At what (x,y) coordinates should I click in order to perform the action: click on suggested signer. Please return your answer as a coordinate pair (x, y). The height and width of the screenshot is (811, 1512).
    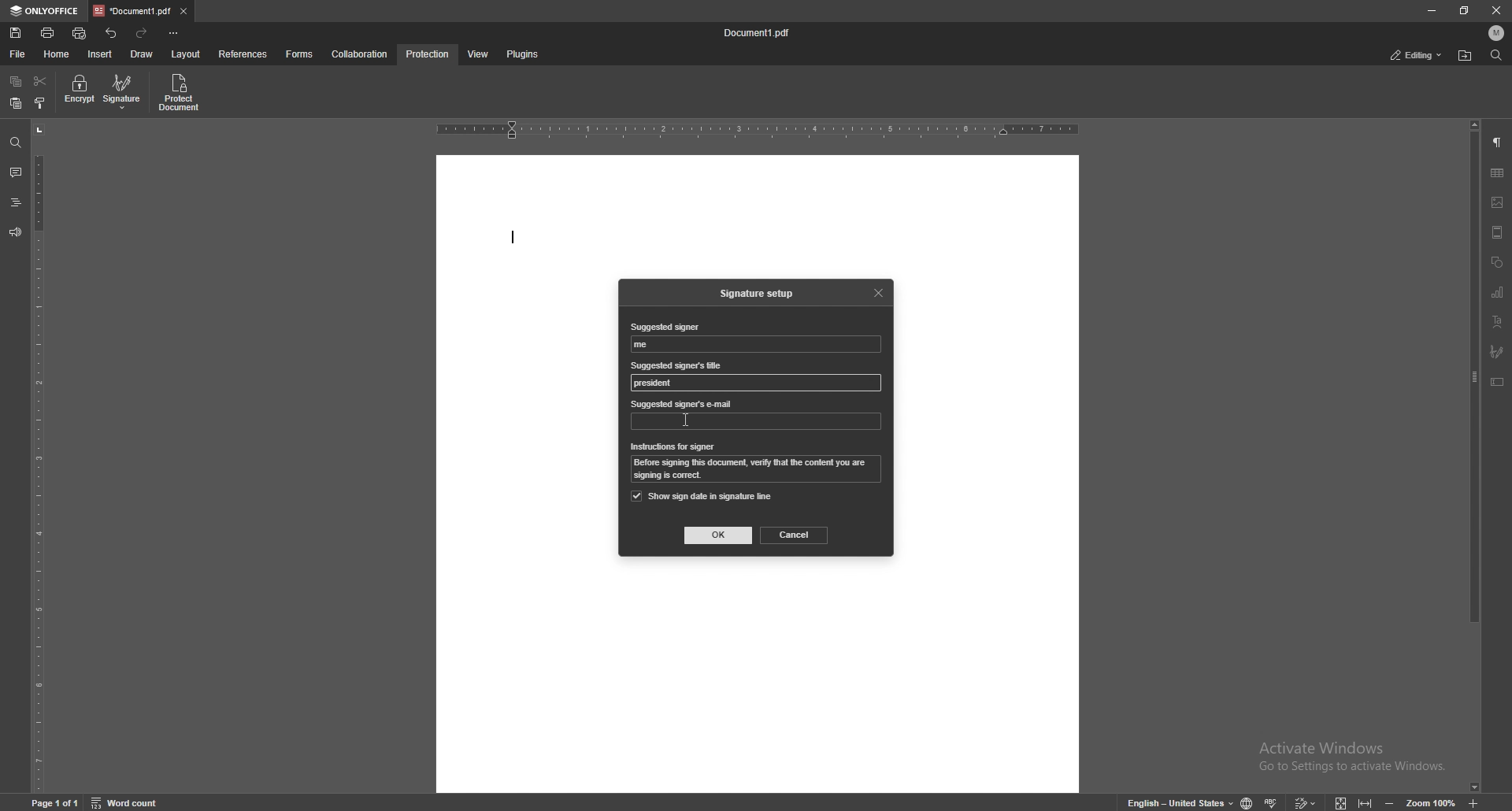
    Looking at the image, I should click on (664, 328).